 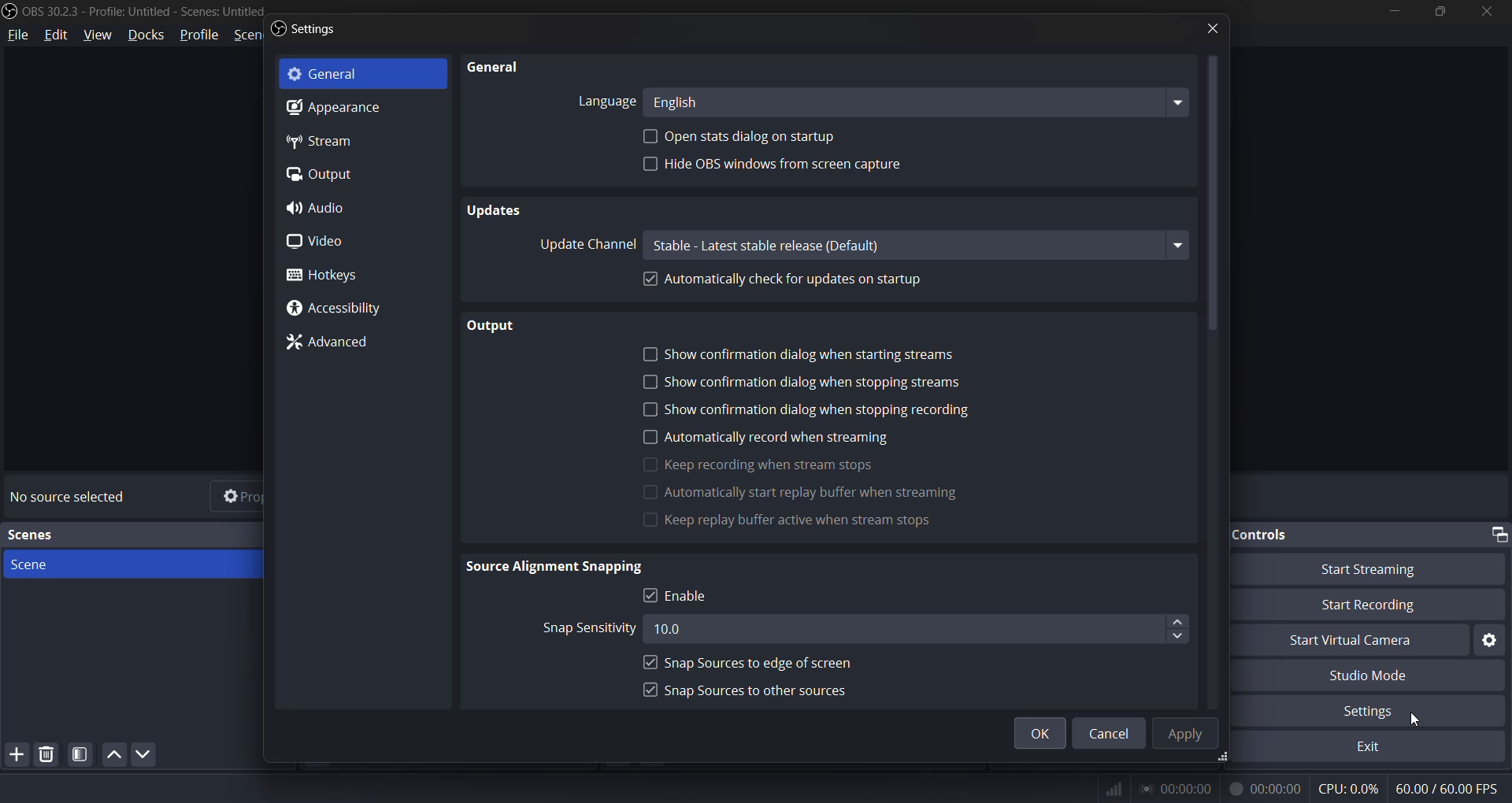 I want to click on stable - latest stable release(default), so click(x=917, y=243).